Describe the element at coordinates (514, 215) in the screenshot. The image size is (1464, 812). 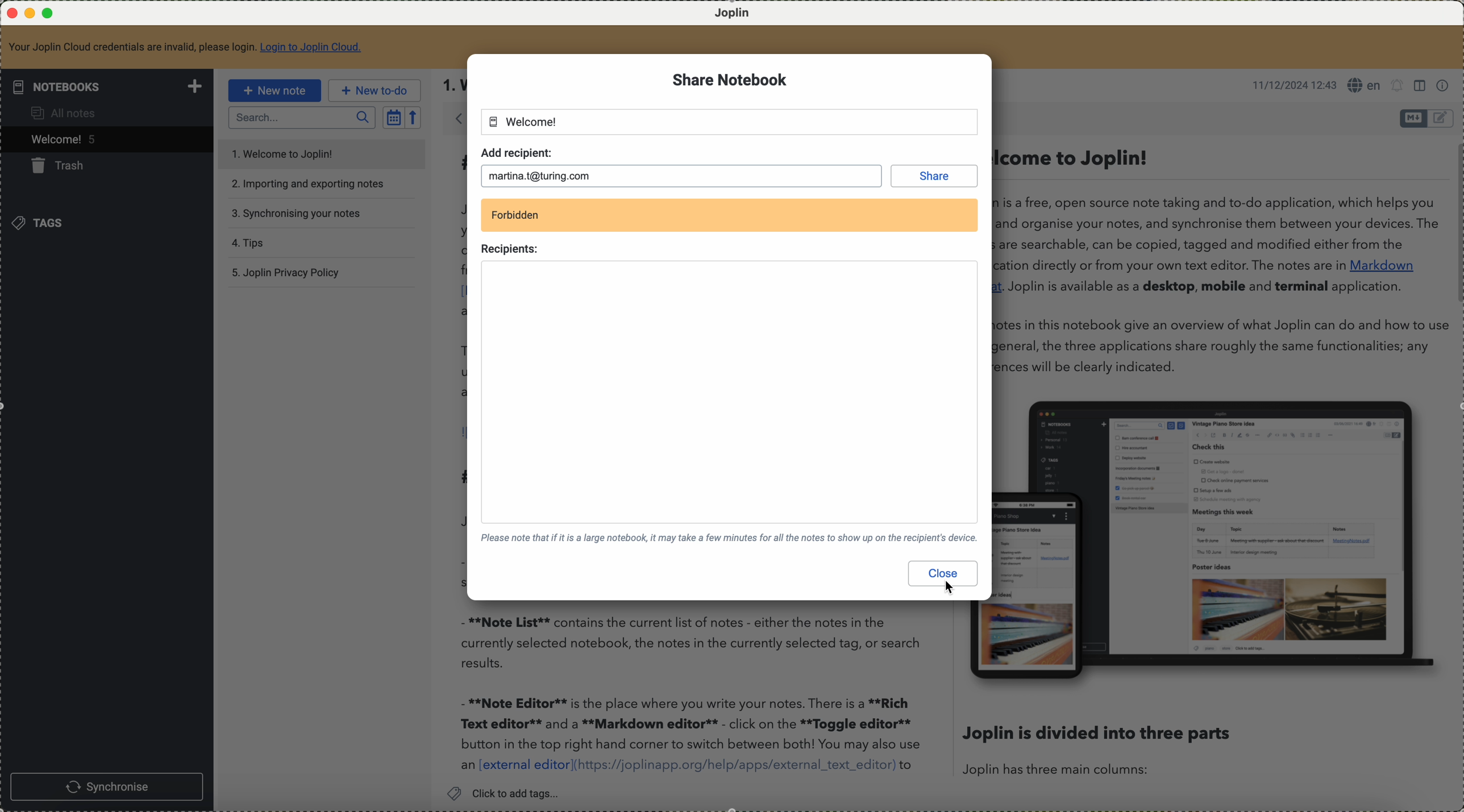
I see `forbidden` at that location.